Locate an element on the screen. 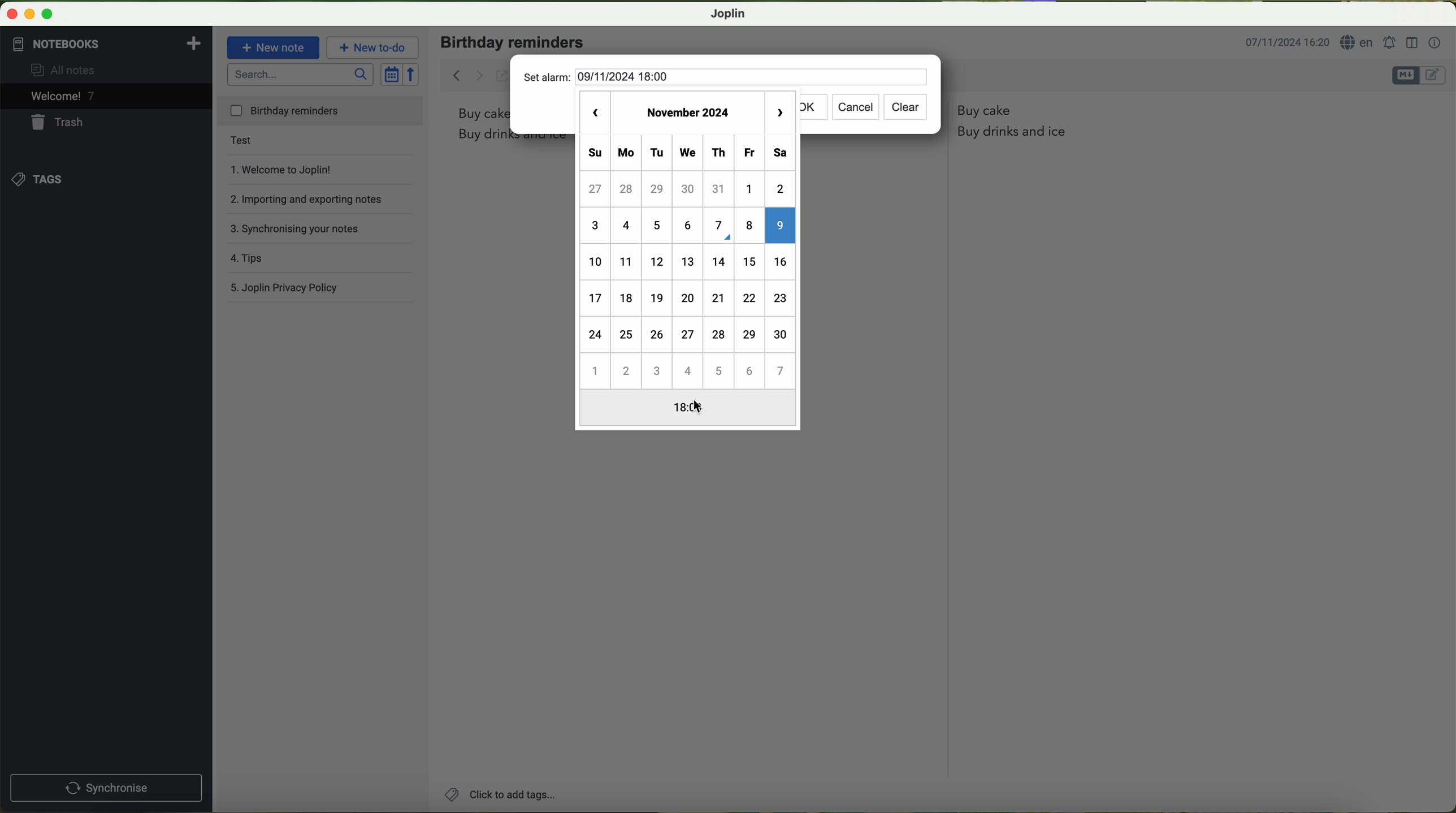  new to-do button is located at coordinates (373, 49).